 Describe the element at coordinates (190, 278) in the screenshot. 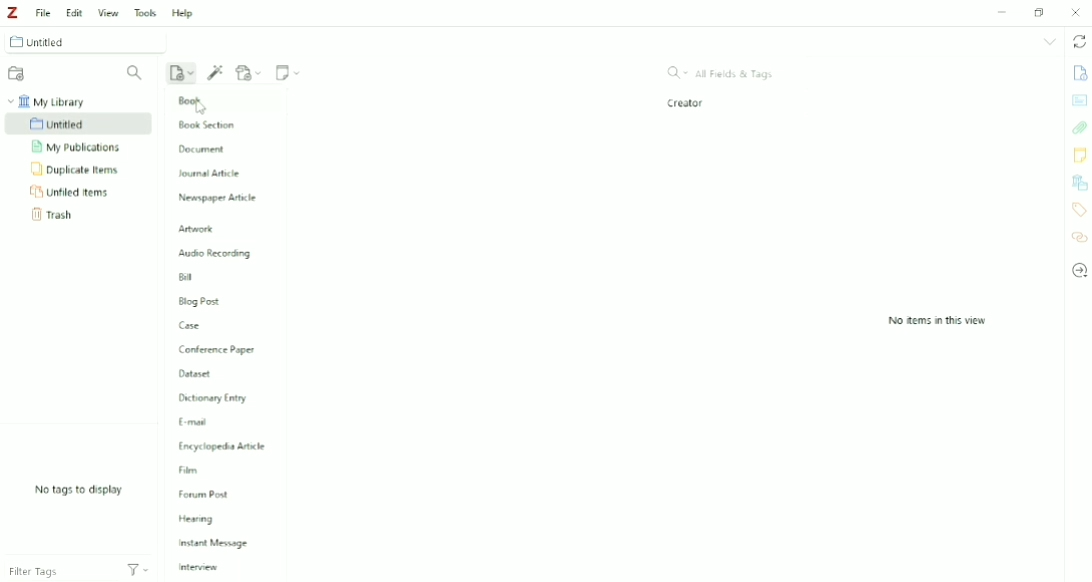

I see `Bill` at that location.